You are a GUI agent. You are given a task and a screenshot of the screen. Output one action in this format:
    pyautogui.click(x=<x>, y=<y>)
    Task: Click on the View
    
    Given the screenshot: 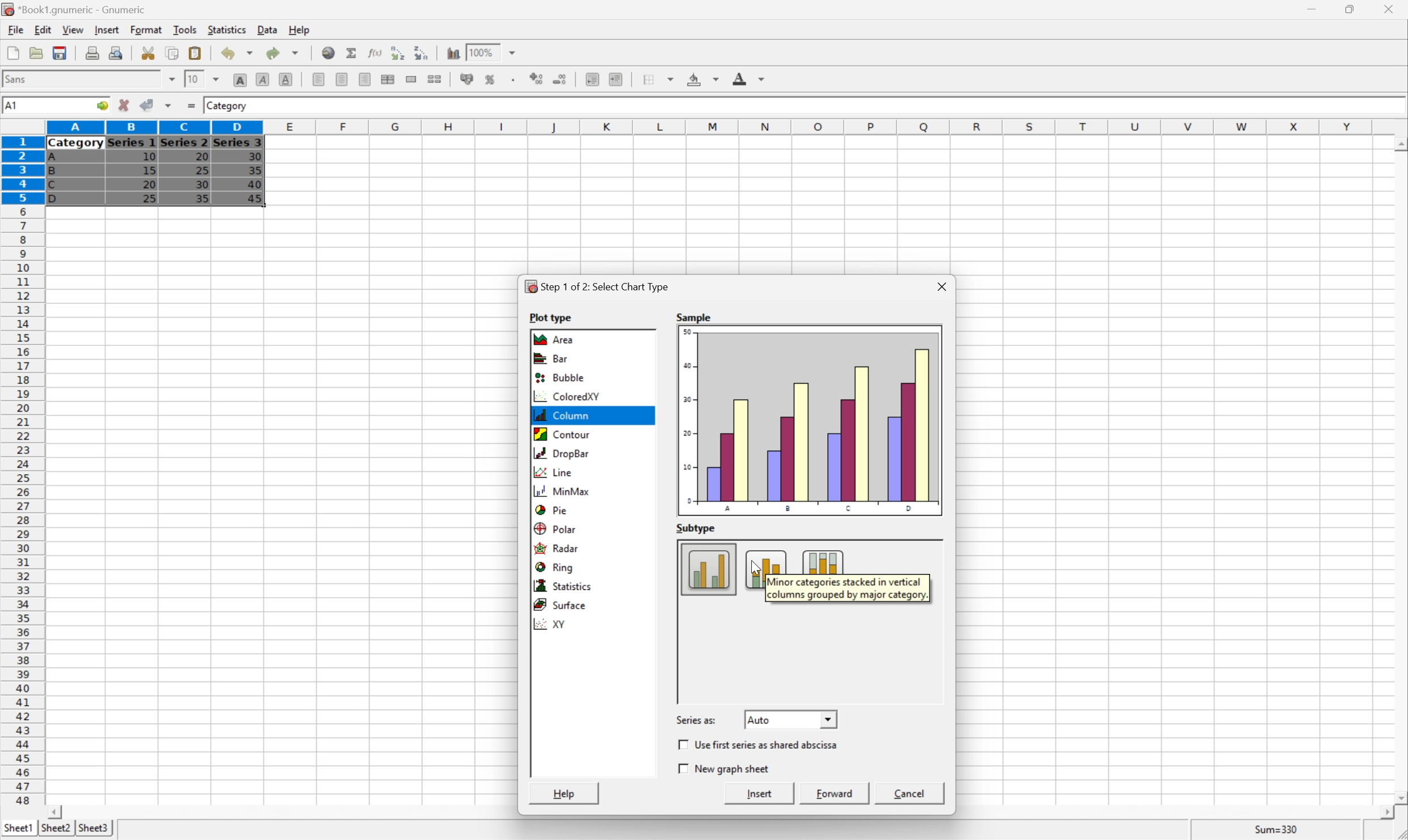 What is the action you would take?
    pyautogui.click(x=73, y=29)
    